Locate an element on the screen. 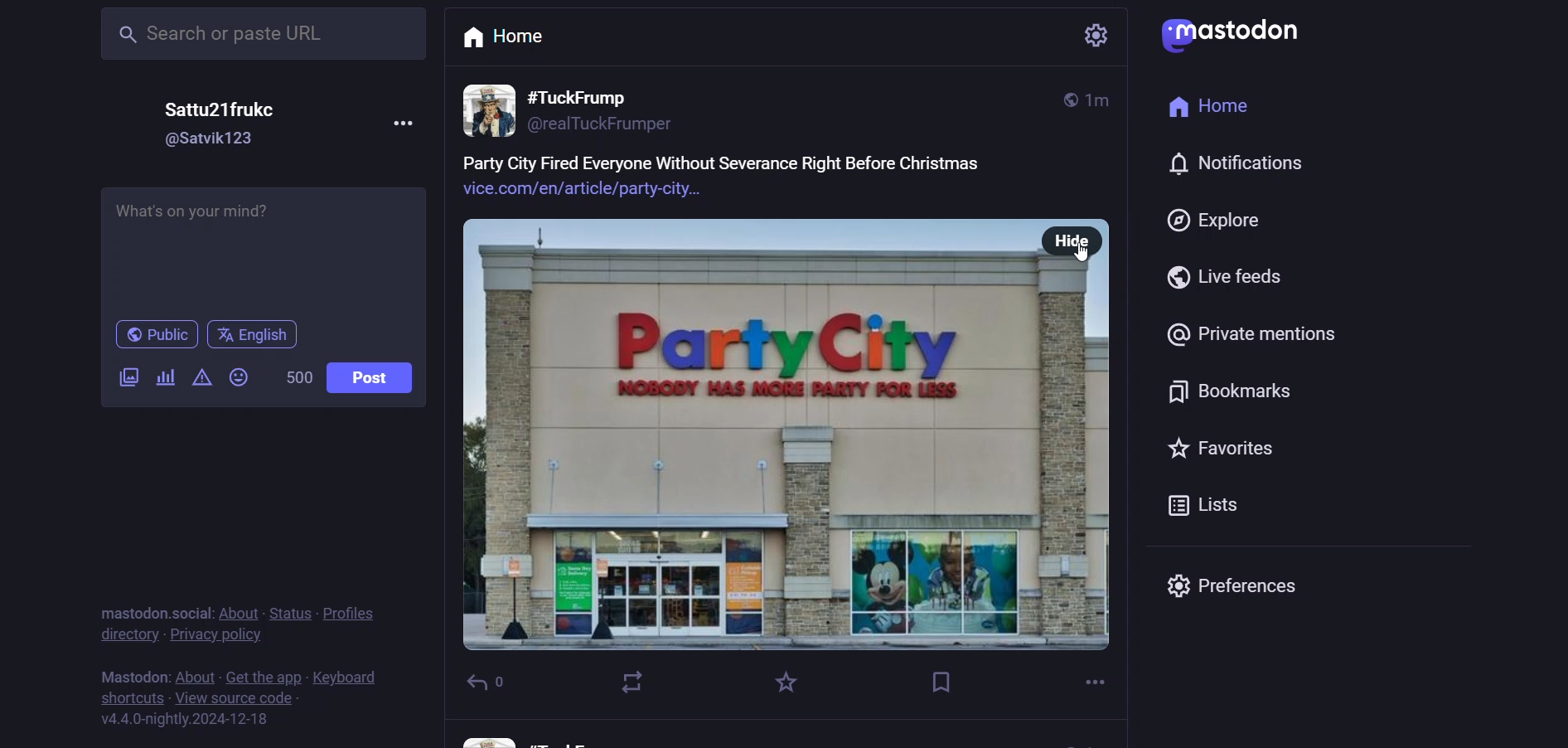 This screenshot has width=1568, height=748. About is located at coordinates (195, 673).